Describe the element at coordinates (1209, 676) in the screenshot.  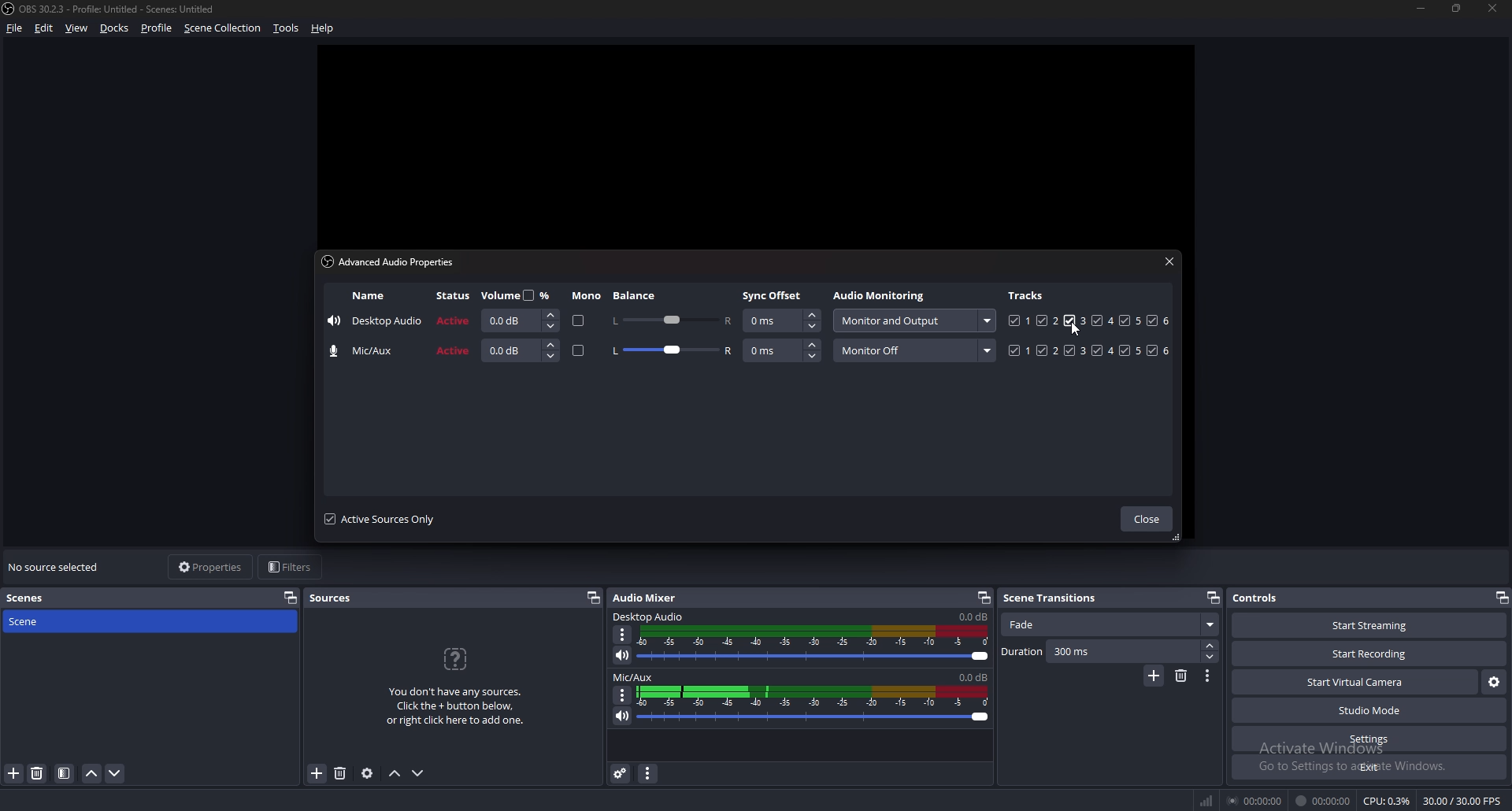
I see `options` at that location.